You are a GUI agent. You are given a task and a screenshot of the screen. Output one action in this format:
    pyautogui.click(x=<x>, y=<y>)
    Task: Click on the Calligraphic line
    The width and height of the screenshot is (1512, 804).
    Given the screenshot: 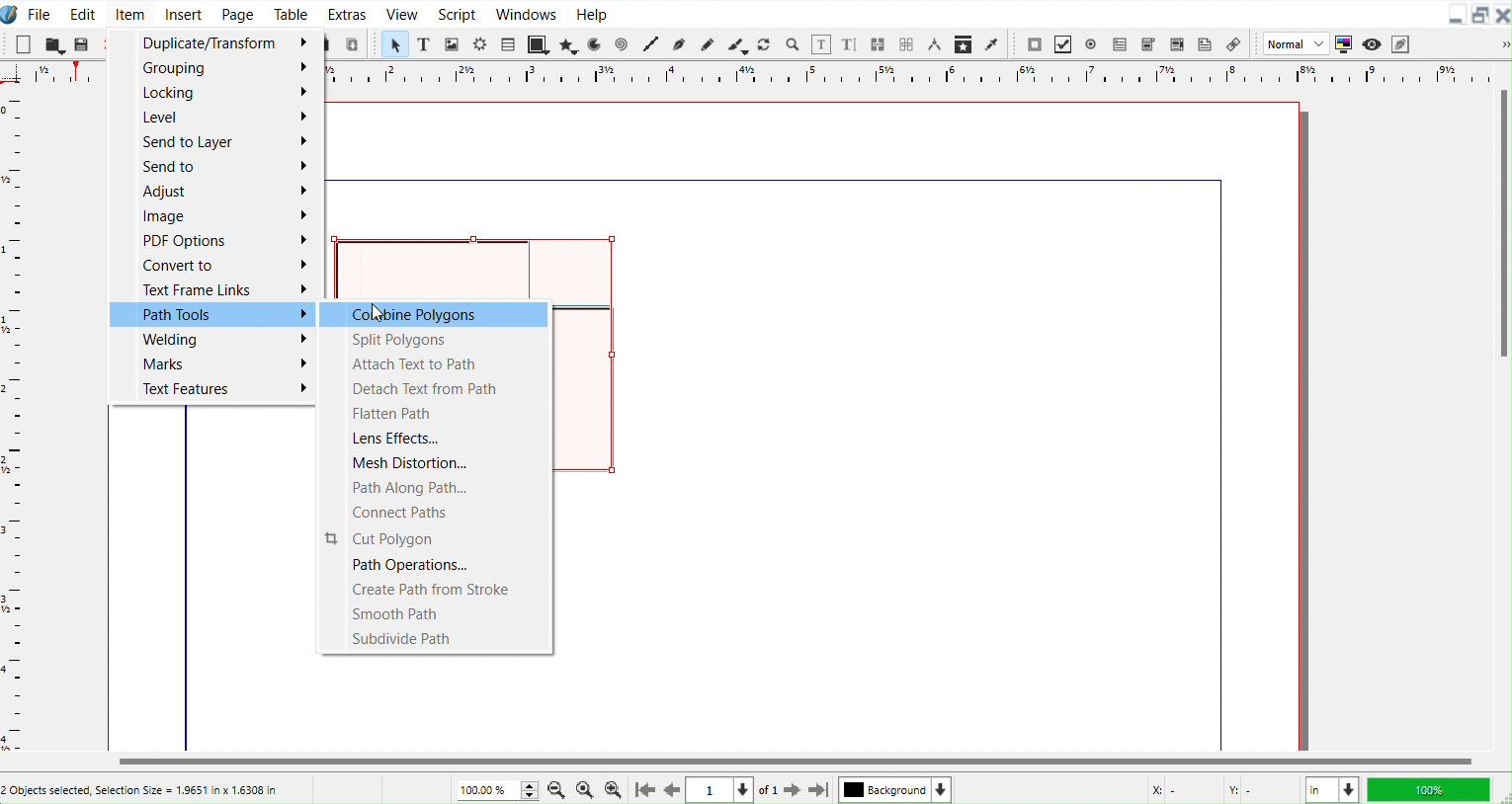 What is the action you would take?
    pyautogui.click(x=737, y=44)
    